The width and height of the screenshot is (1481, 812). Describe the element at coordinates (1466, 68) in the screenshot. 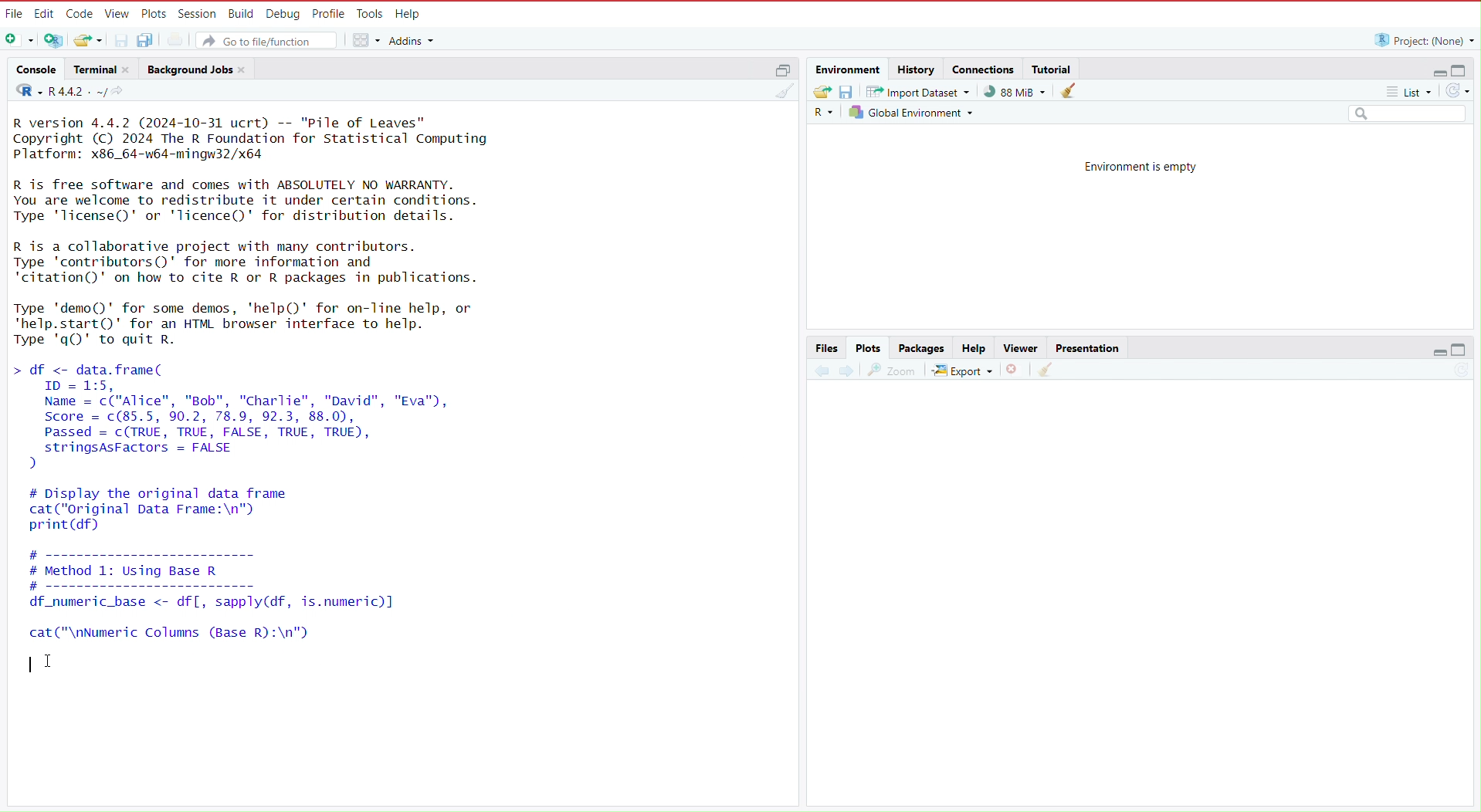

I see `maximize` at that location.